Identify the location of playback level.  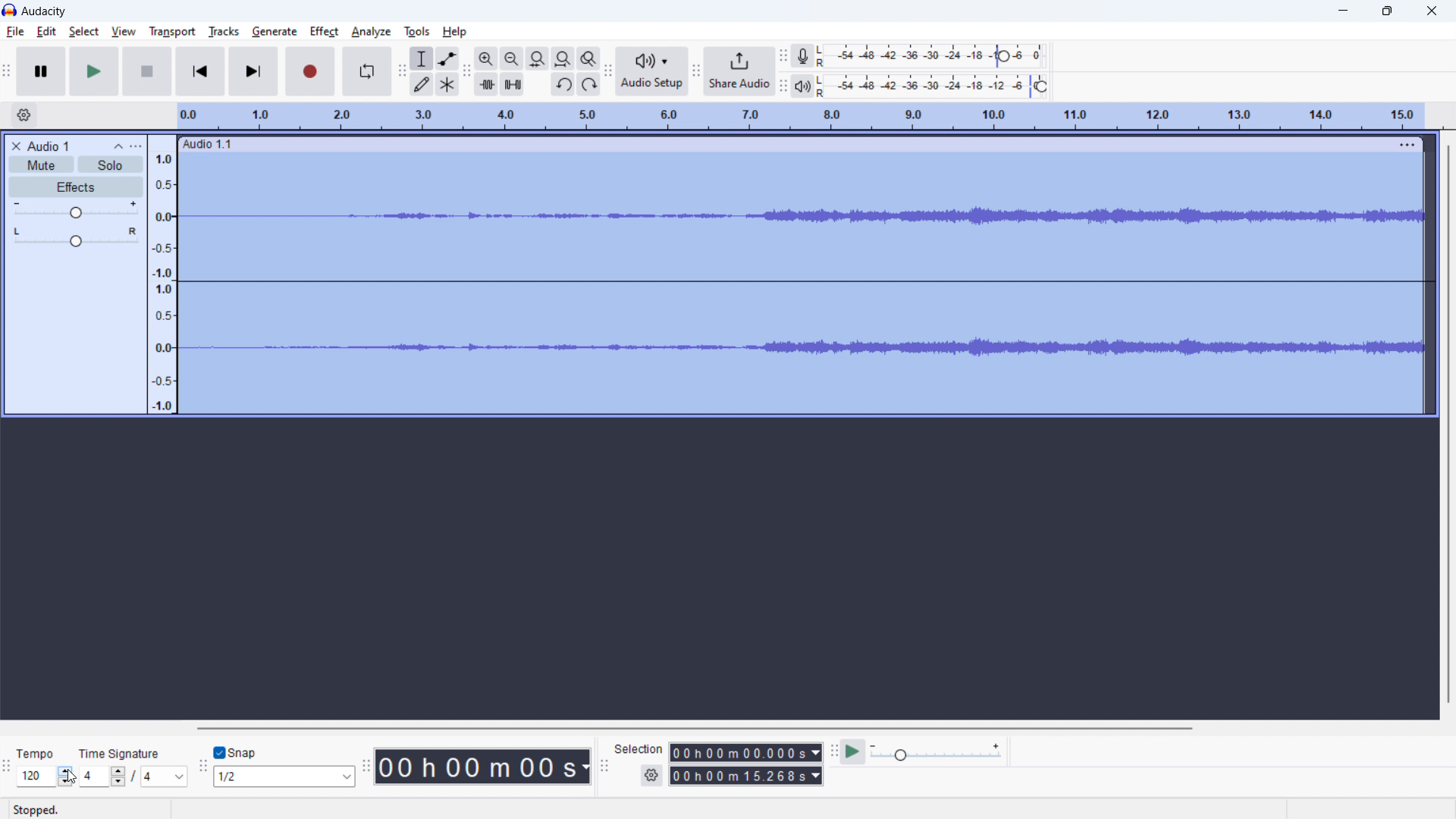
(941, 86).